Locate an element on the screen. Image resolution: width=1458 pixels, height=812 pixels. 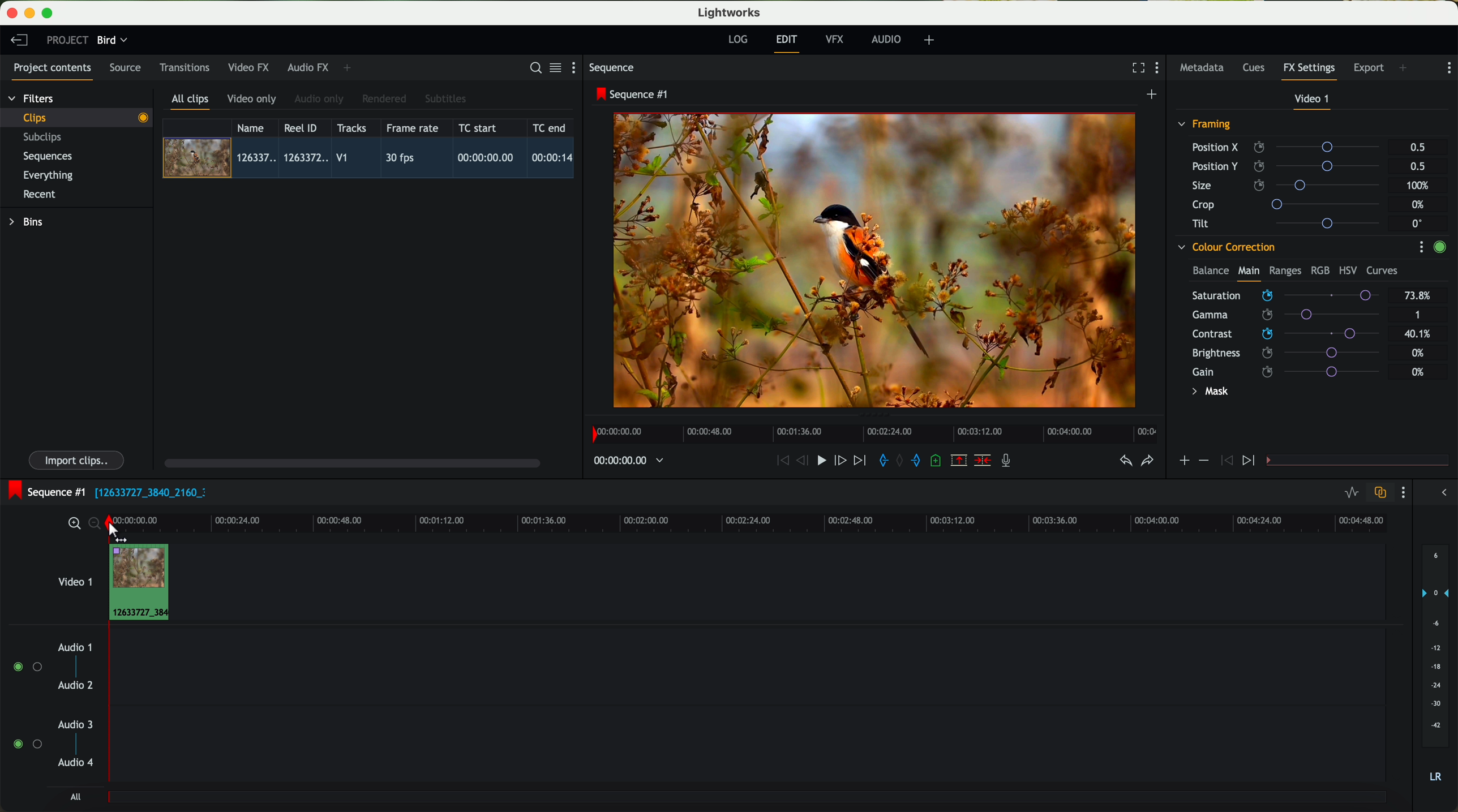
frame rate is located at coordinates (413, 128).